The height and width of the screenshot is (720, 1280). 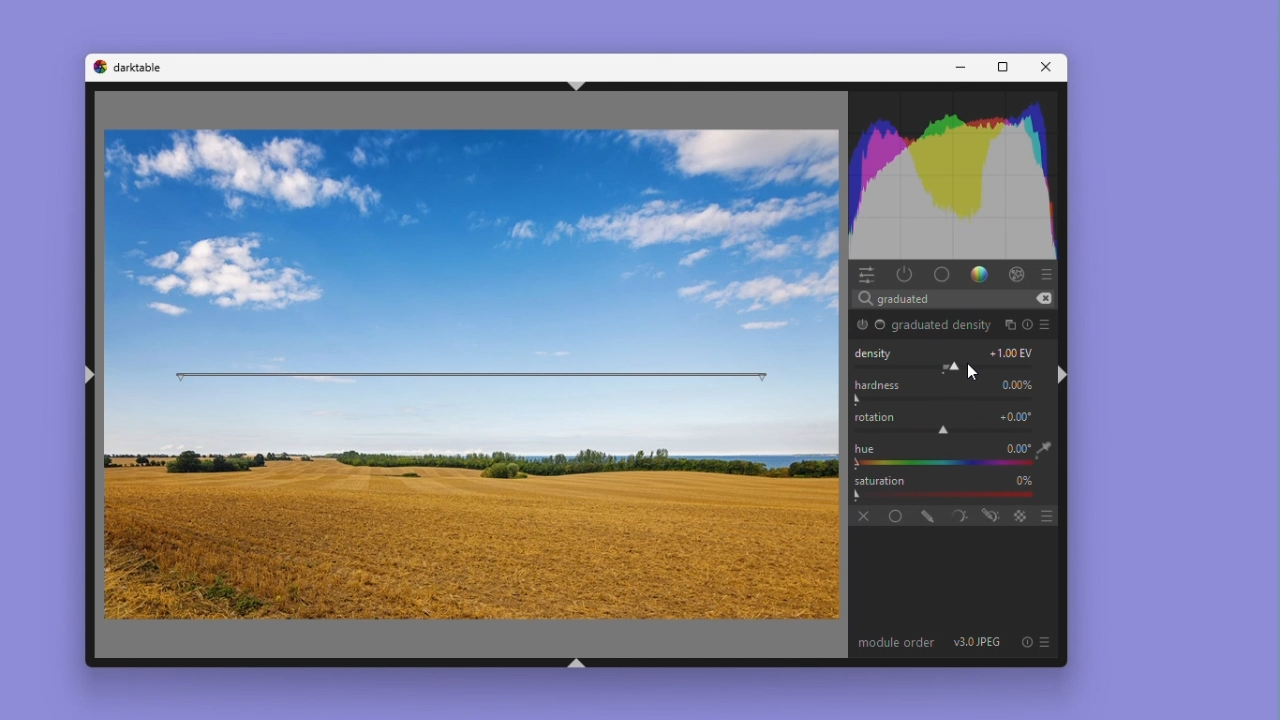 I want to click on blending options, so click(x=1046, y=515).